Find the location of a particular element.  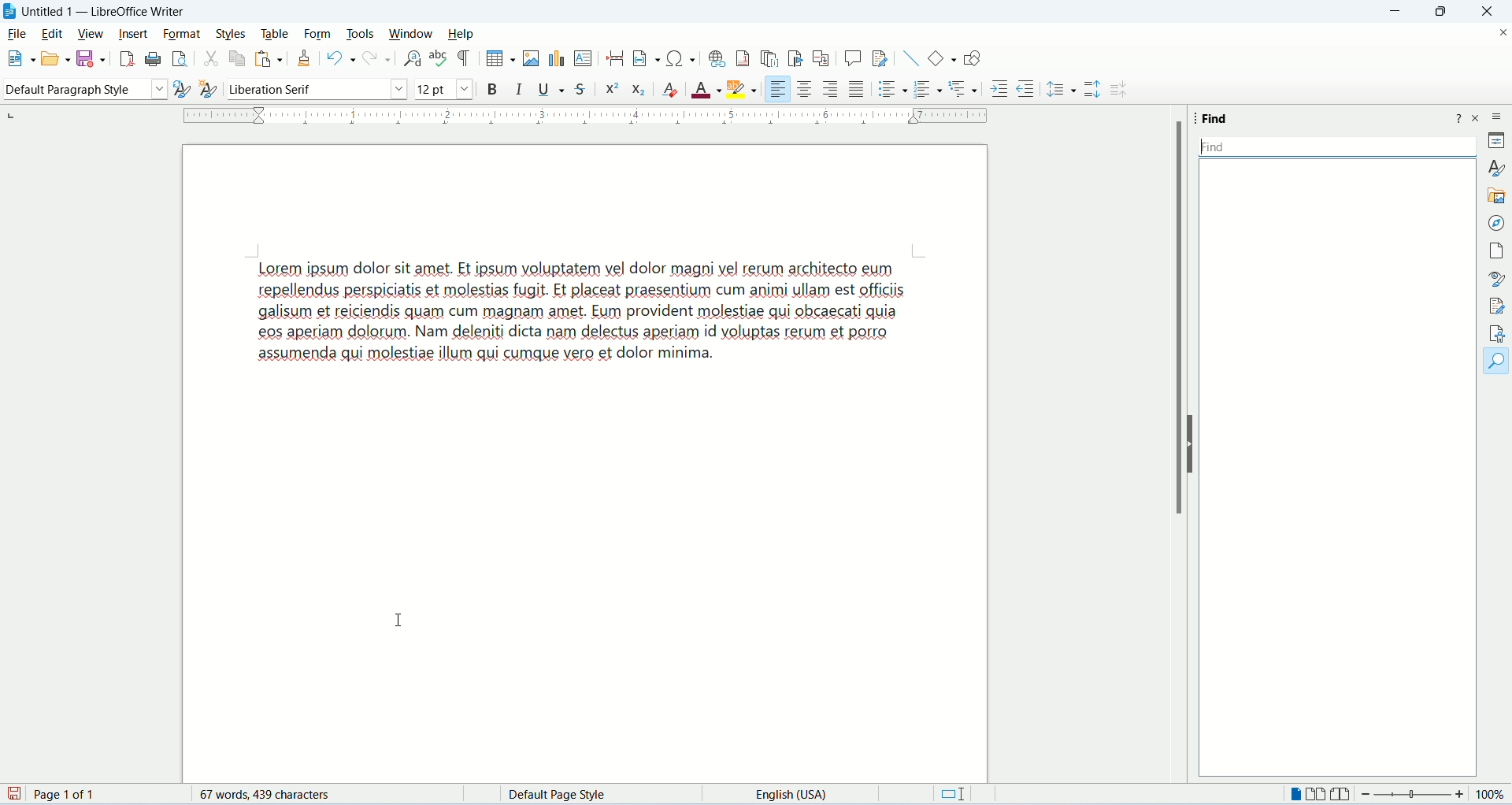

sidebar is located at coordinates (1496, 116).